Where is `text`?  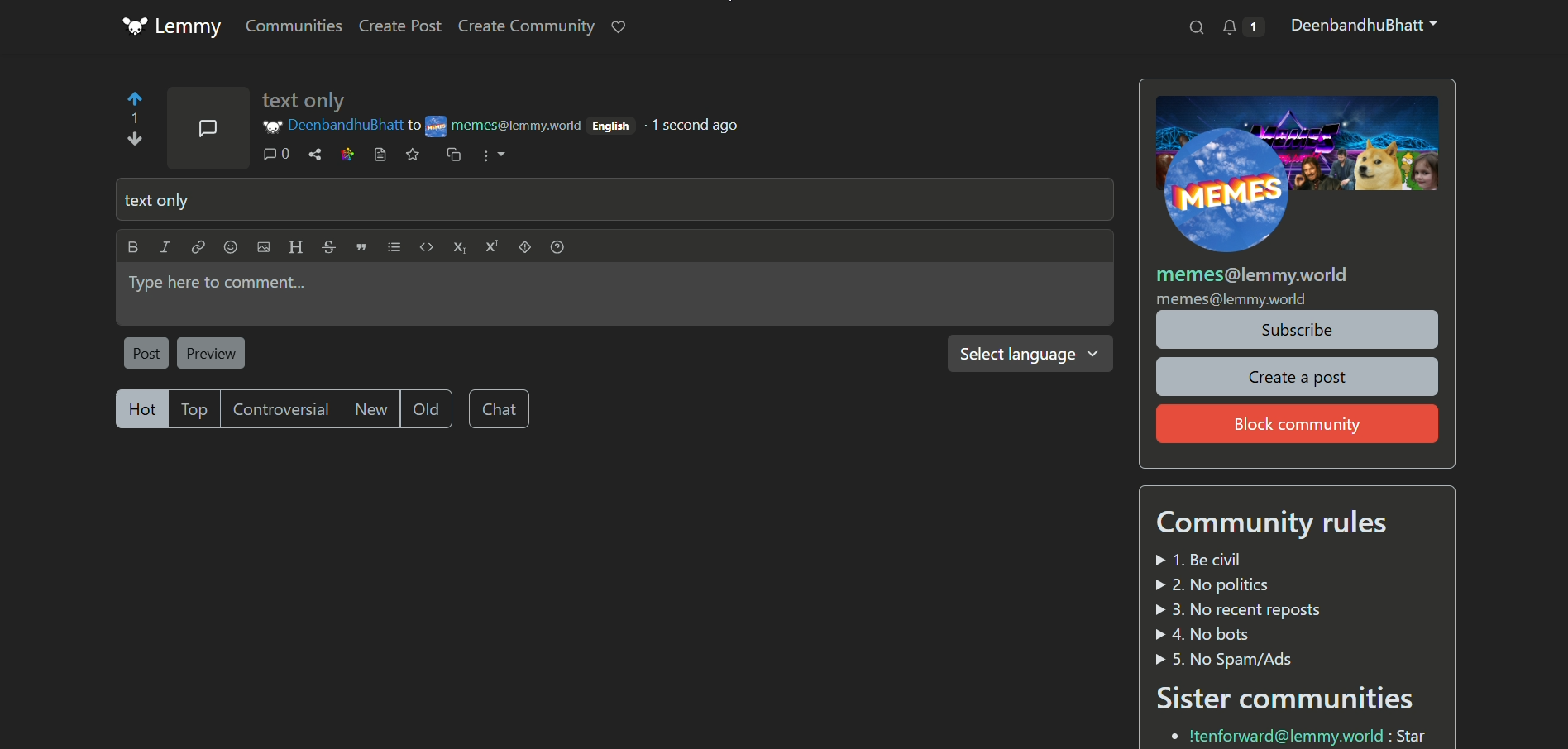 text is located at coordinates (1241, 609).